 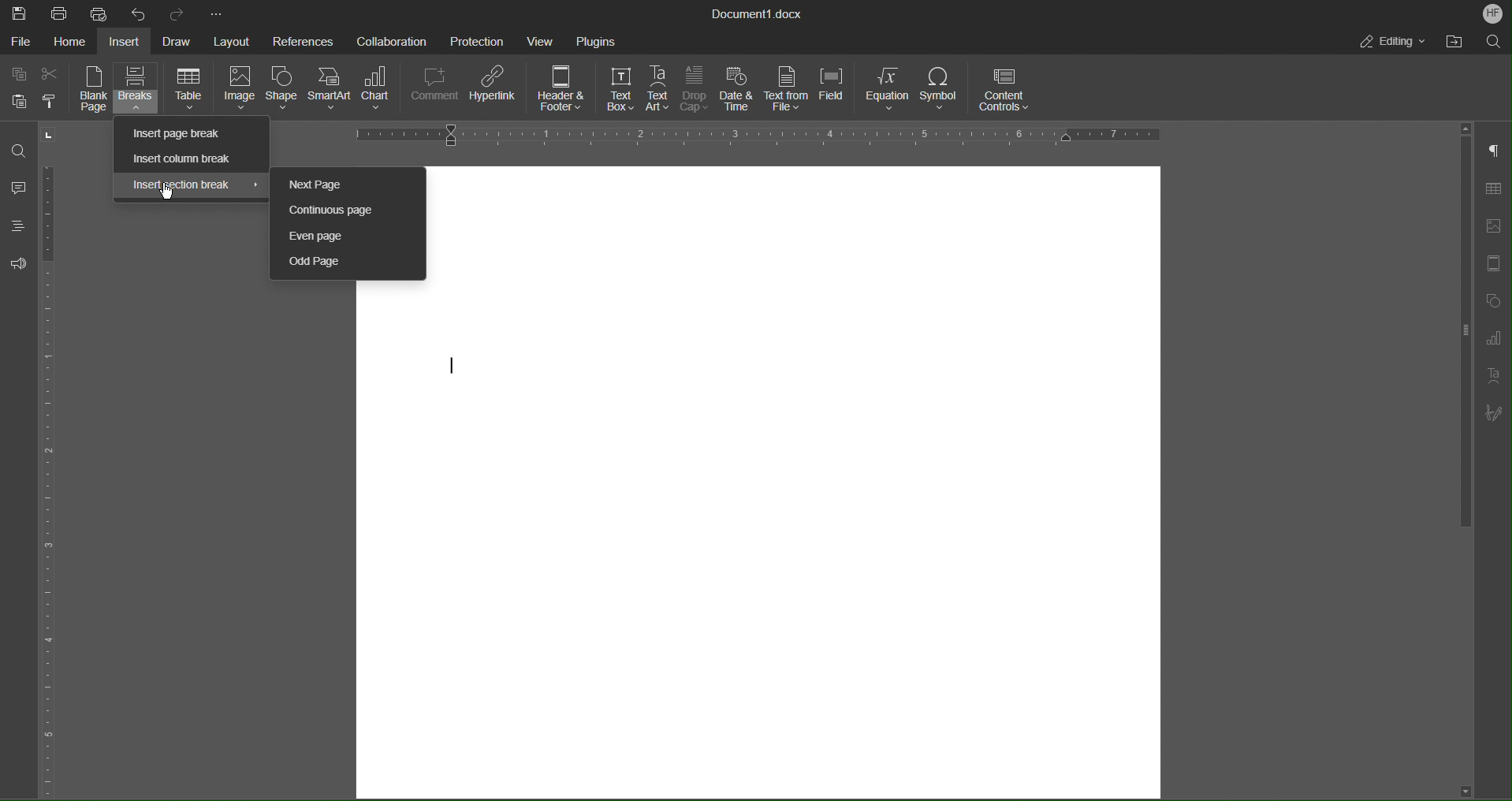 I want to click on Shape Settings, so click(x=1493, y=302).